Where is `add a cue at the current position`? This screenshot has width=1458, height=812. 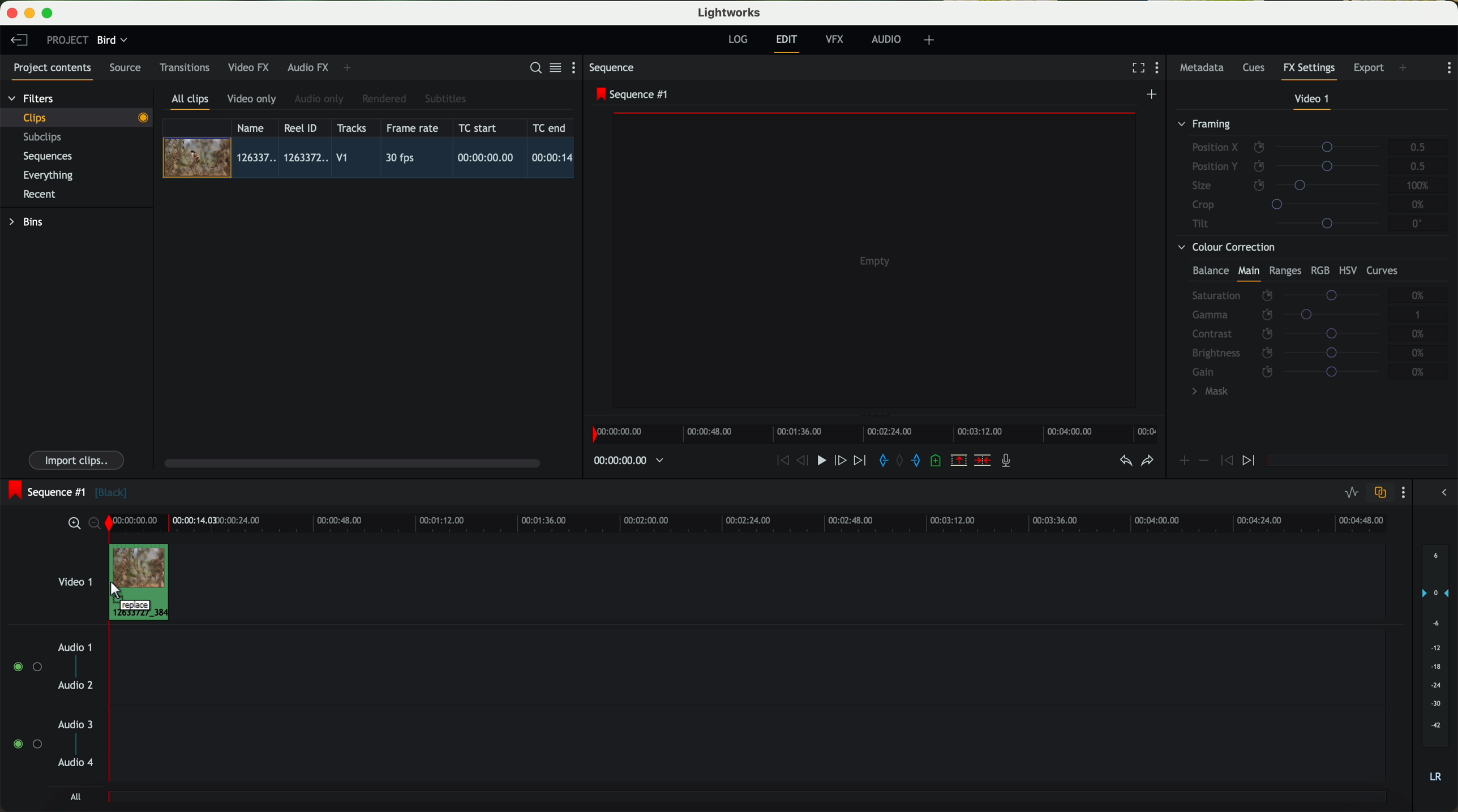 add a cue at the current position is located at coordinates (937, 461).